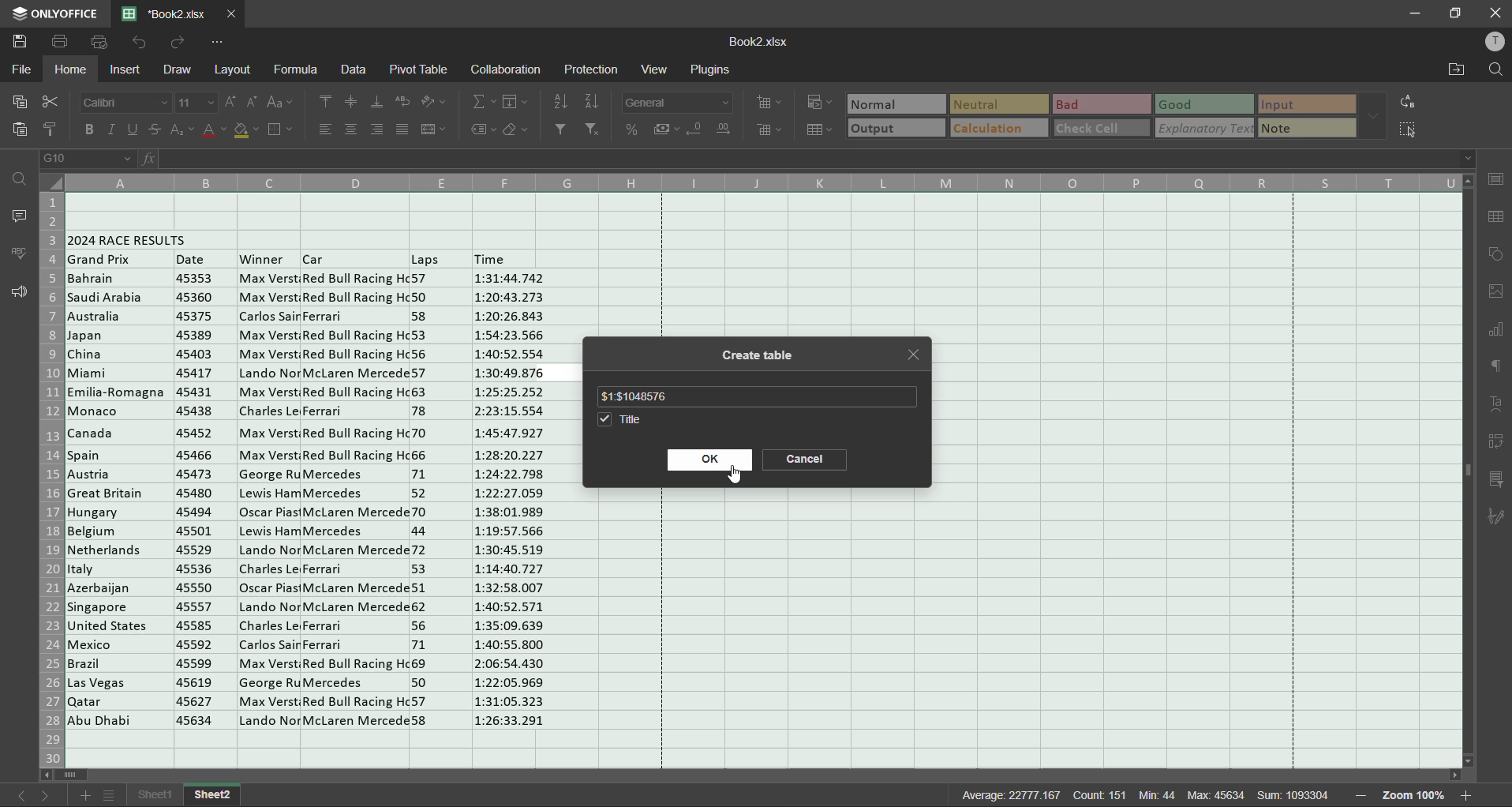  Describe the element at coordinates (246, 133) in the screenshot. I see `fill color` at that location.